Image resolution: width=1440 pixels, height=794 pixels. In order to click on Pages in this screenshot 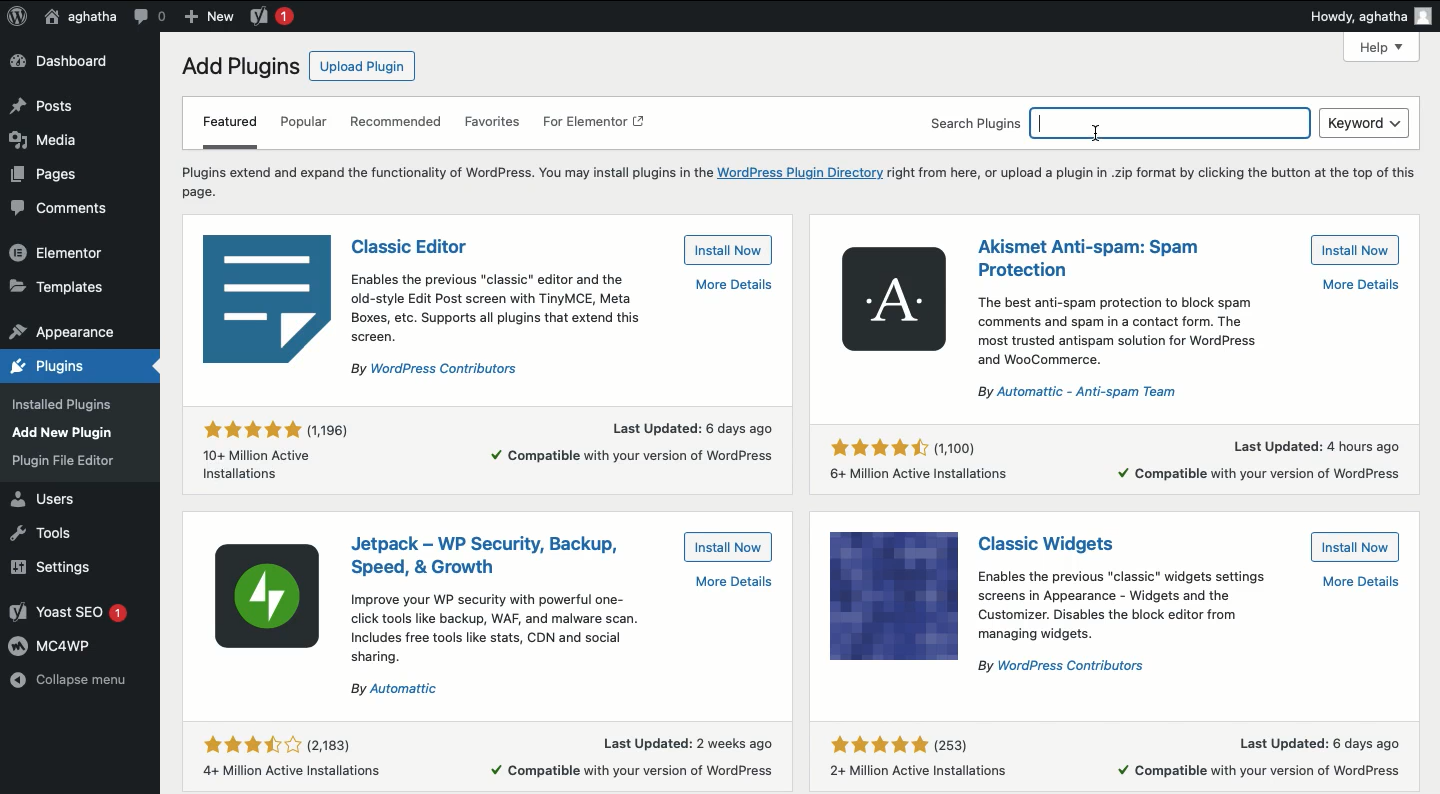, I will do `click(51, 177)`.